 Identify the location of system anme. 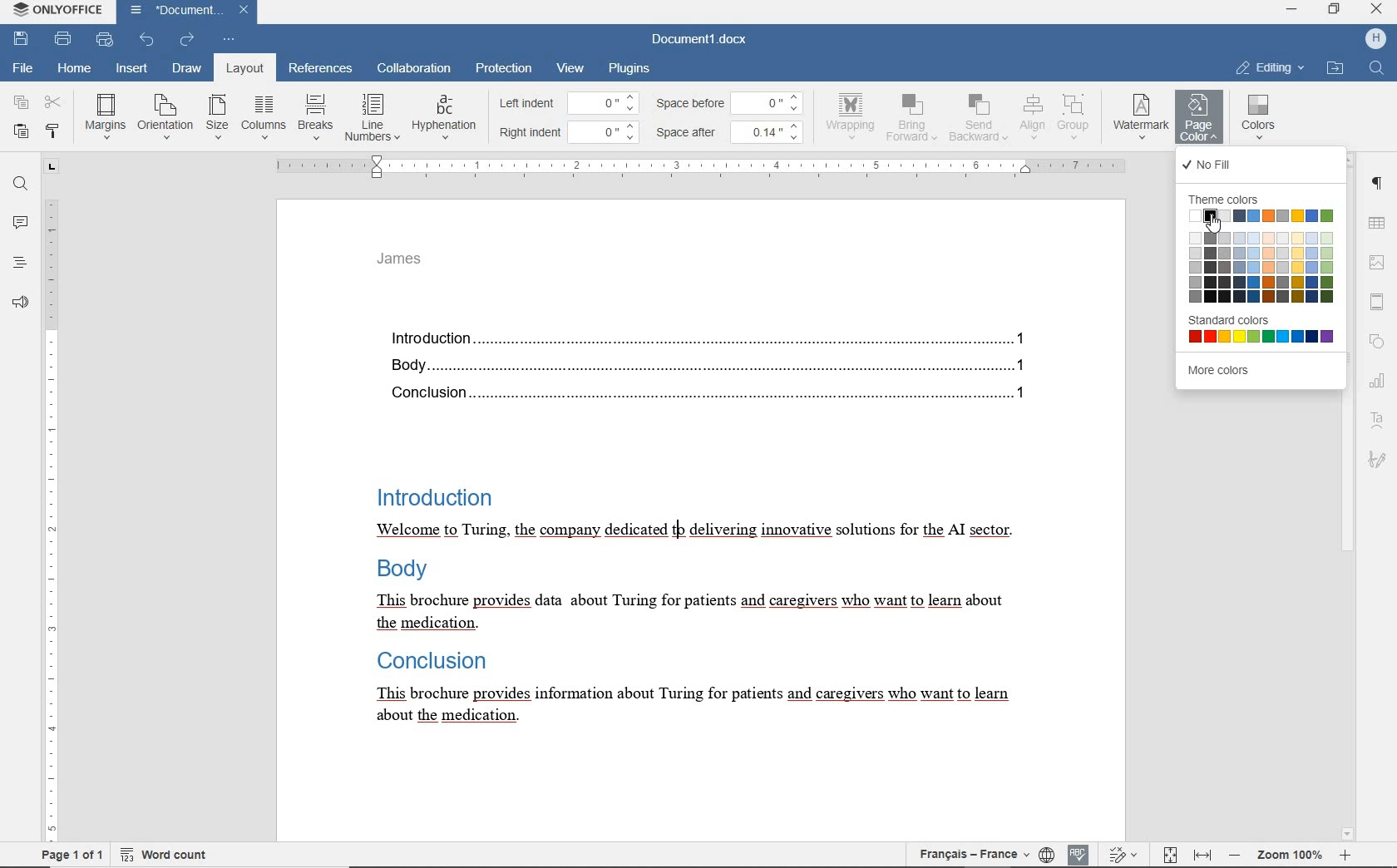
(63, 11).